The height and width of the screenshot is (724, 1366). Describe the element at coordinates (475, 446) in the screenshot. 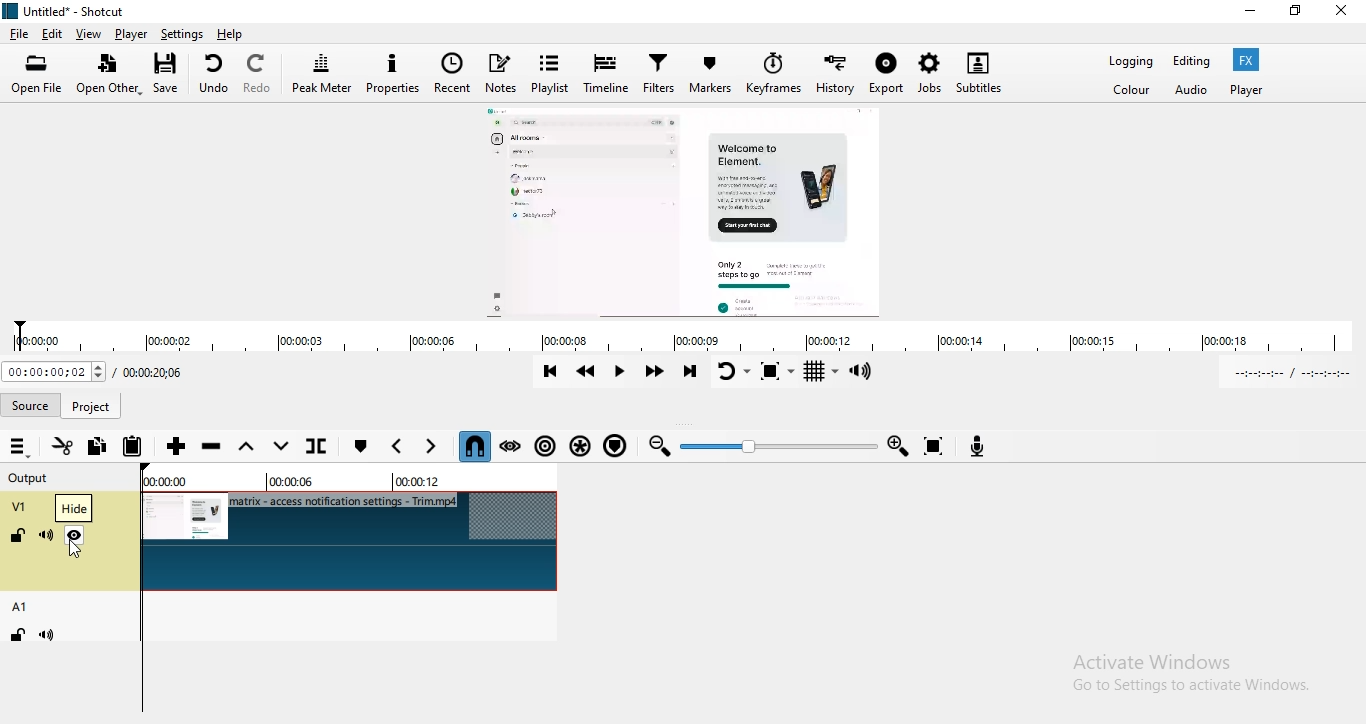

I see `Snap` at that location.